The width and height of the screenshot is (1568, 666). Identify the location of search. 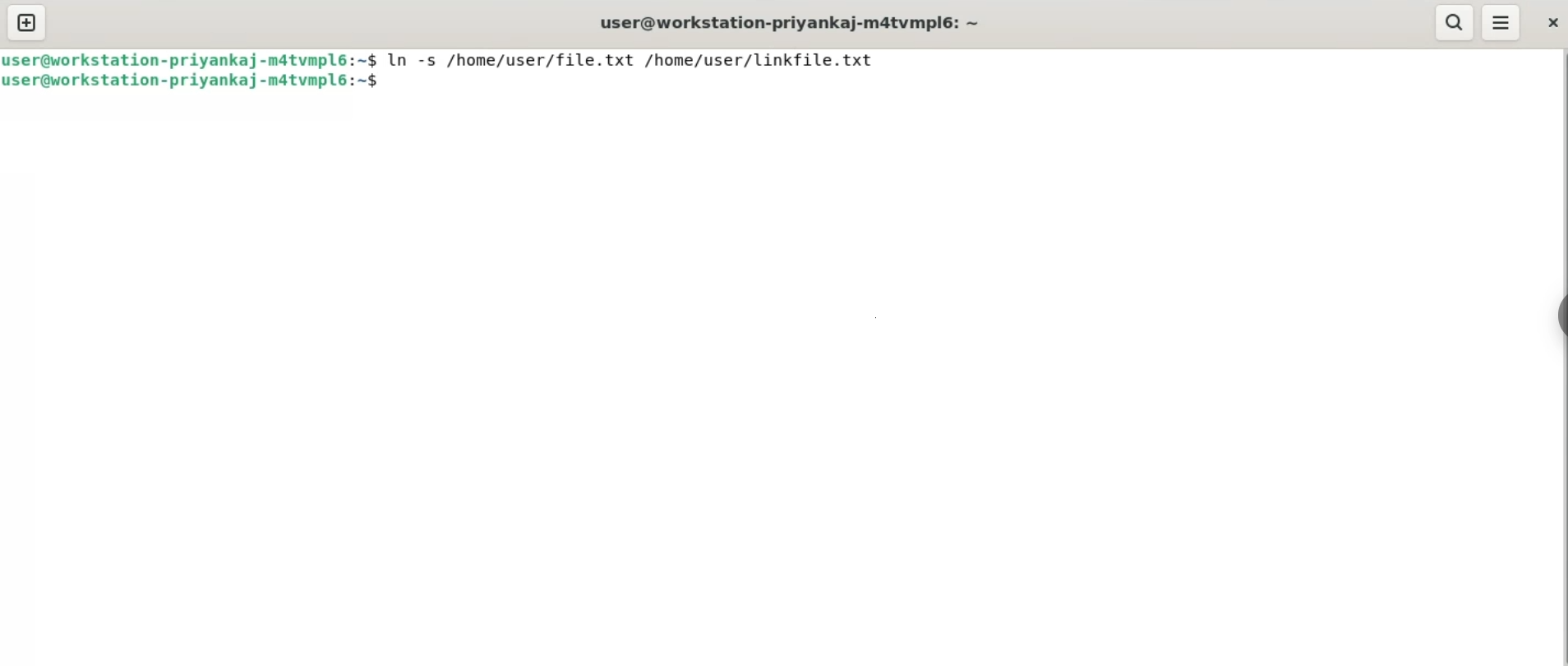
(1454, 22).